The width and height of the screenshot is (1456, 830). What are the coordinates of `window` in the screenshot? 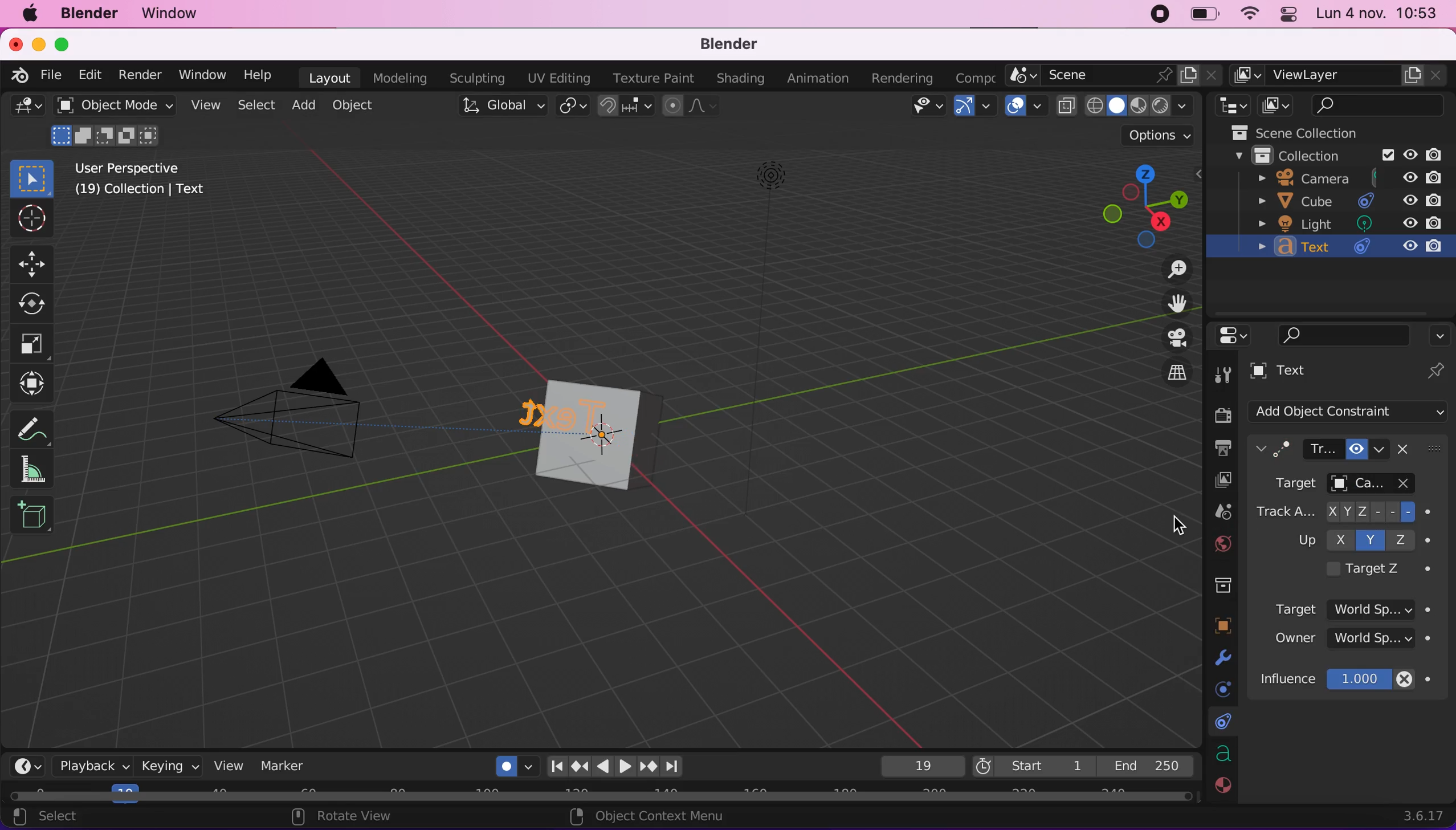 It's located at (174, 13).